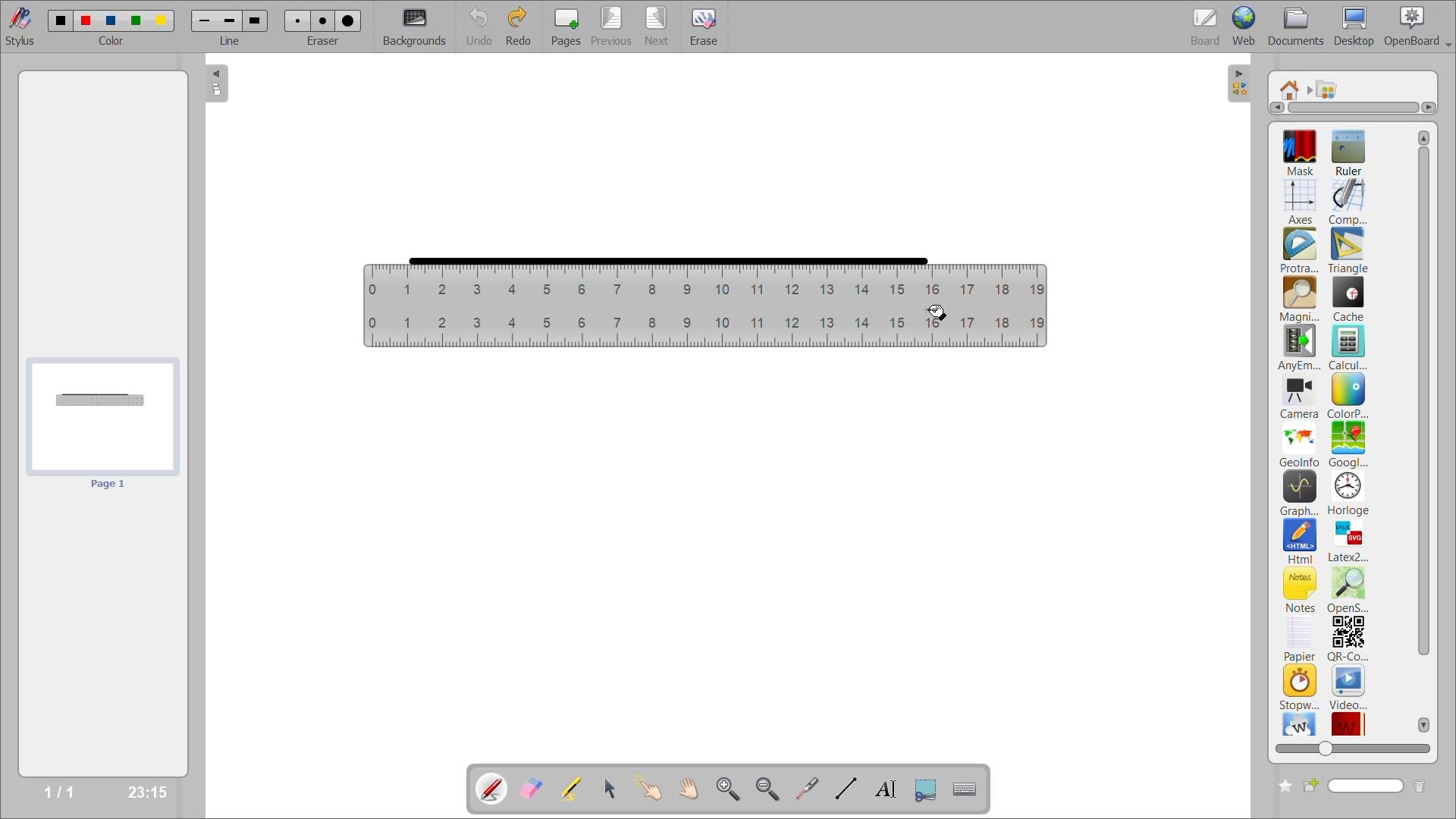  What do you see at coordinates (1349, 686) in the screenshot?
I see `video` at bounding box center [1349, 686].